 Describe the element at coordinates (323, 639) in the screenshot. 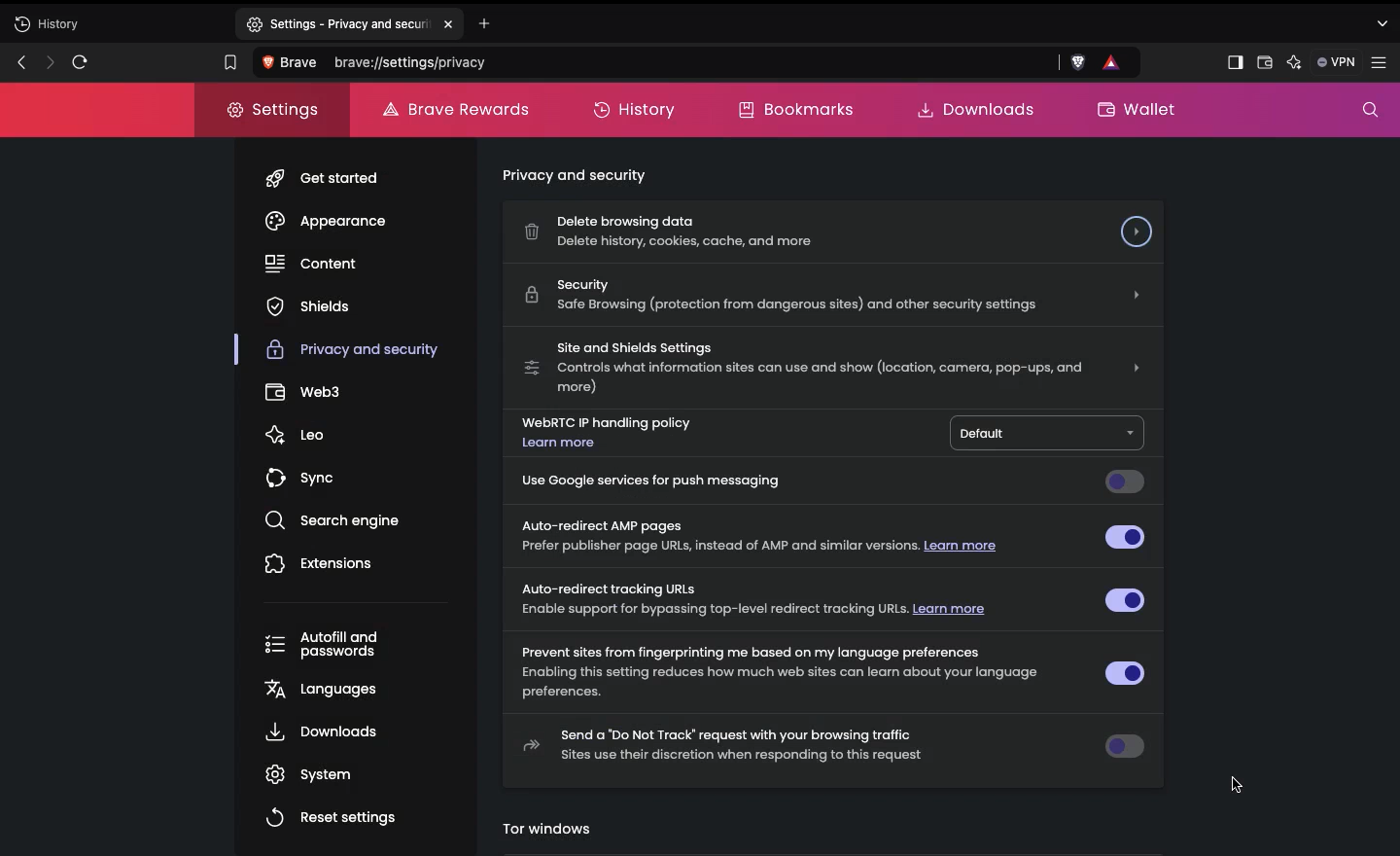

I see `Autofill and passwords` at that location.